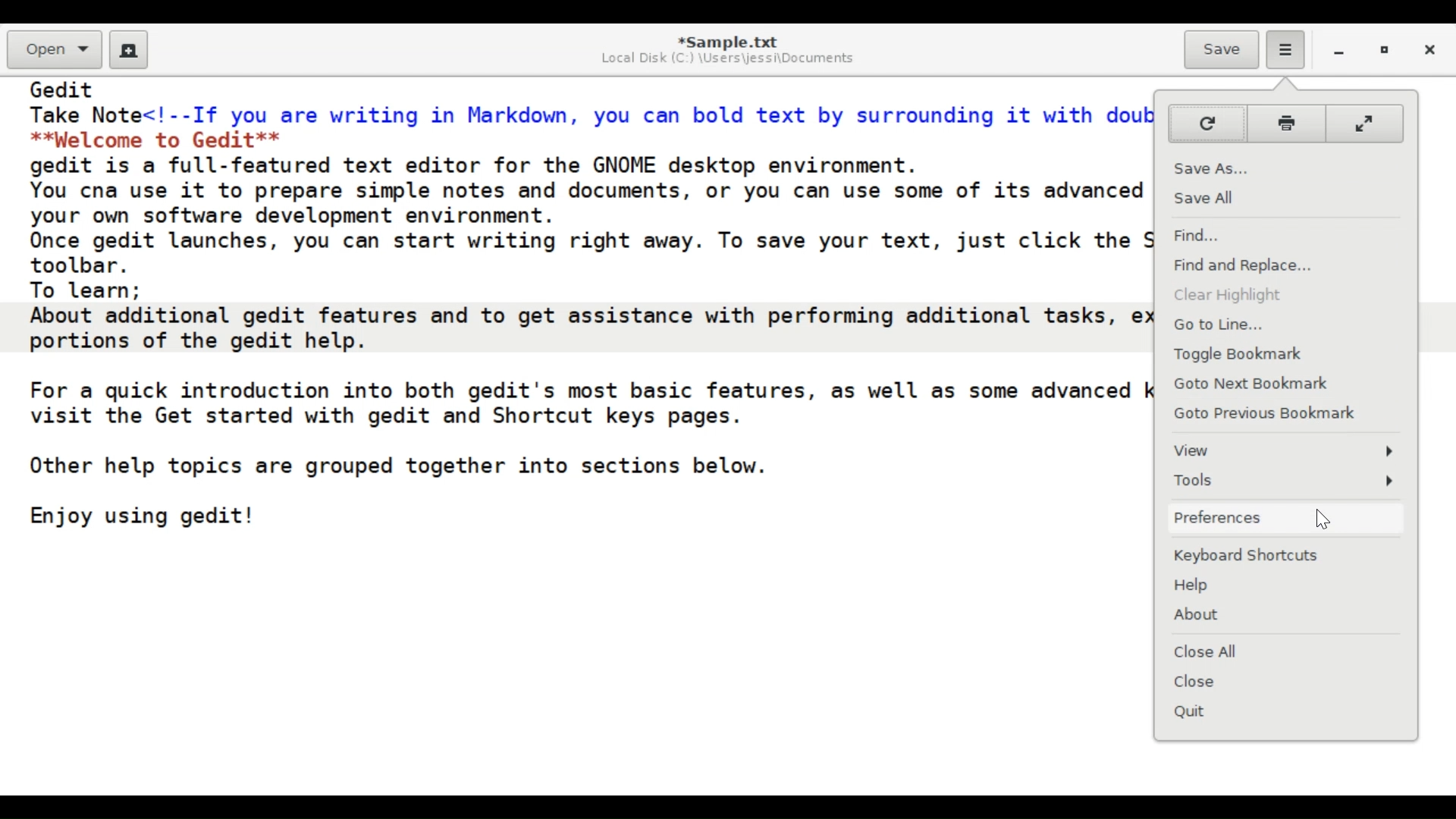 The image size is (1456, 819). Describe the element at coordinates (1285, 124) in the screenshot. I see `Print` at that location.